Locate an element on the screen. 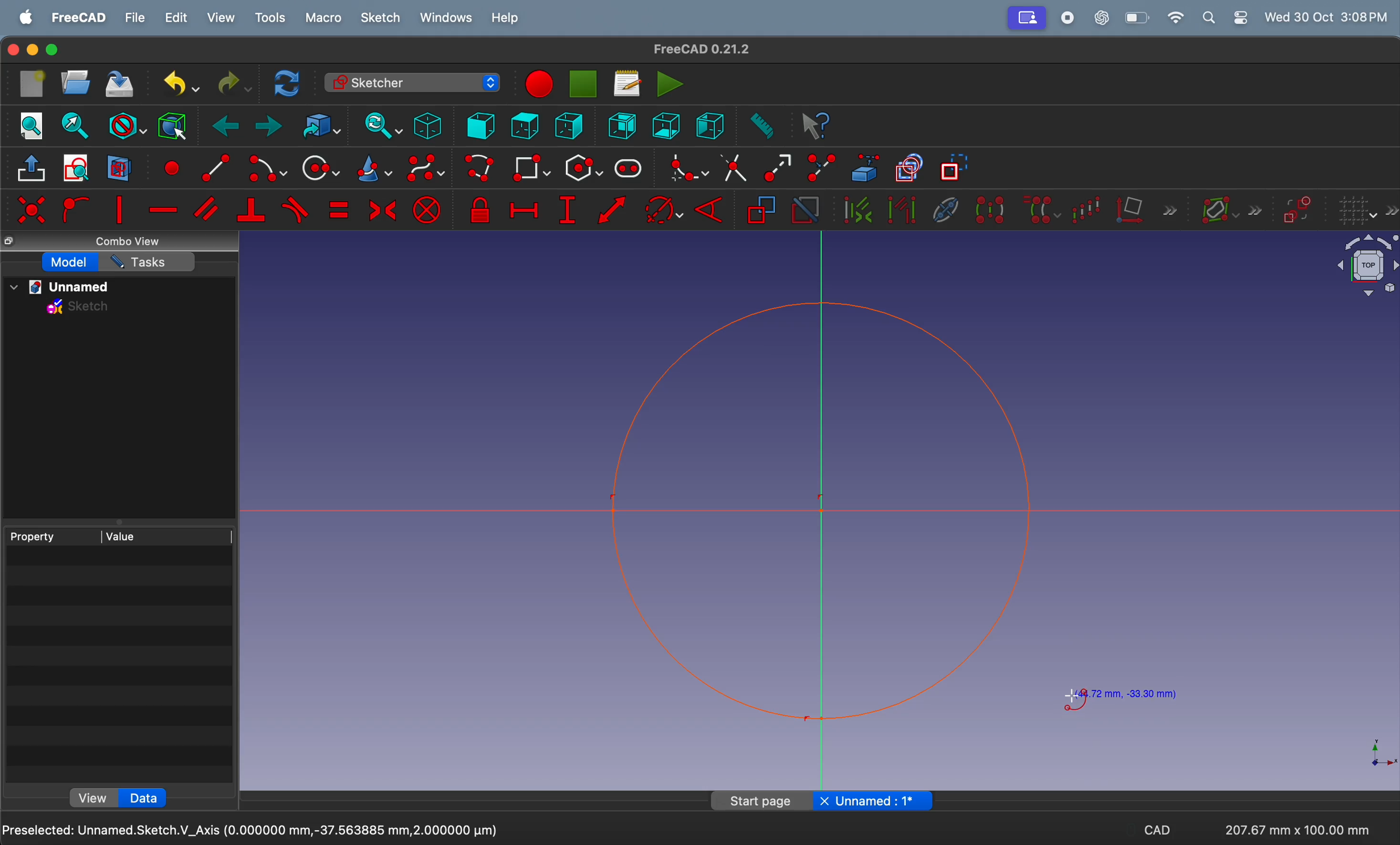 This screenshot has height=845, width=1400. search is located at coordinates (1209, 18).